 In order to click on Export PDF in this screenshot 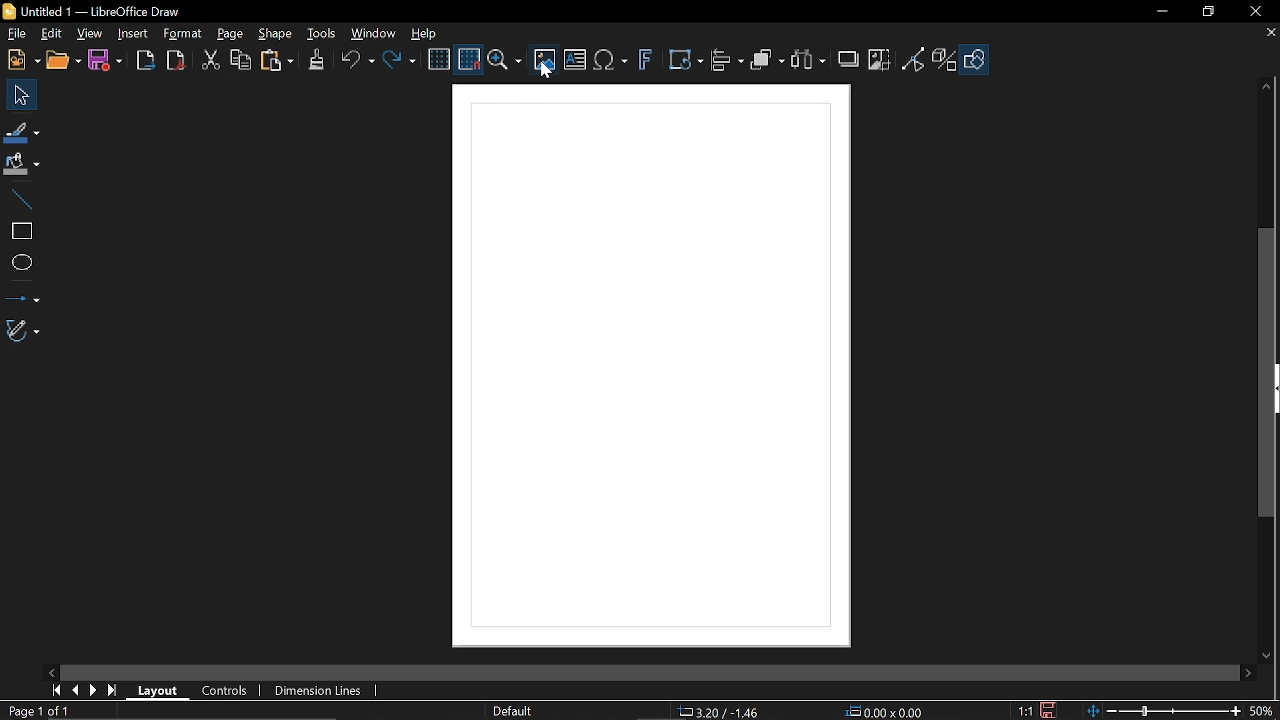, I will do `click(177, 63)`.